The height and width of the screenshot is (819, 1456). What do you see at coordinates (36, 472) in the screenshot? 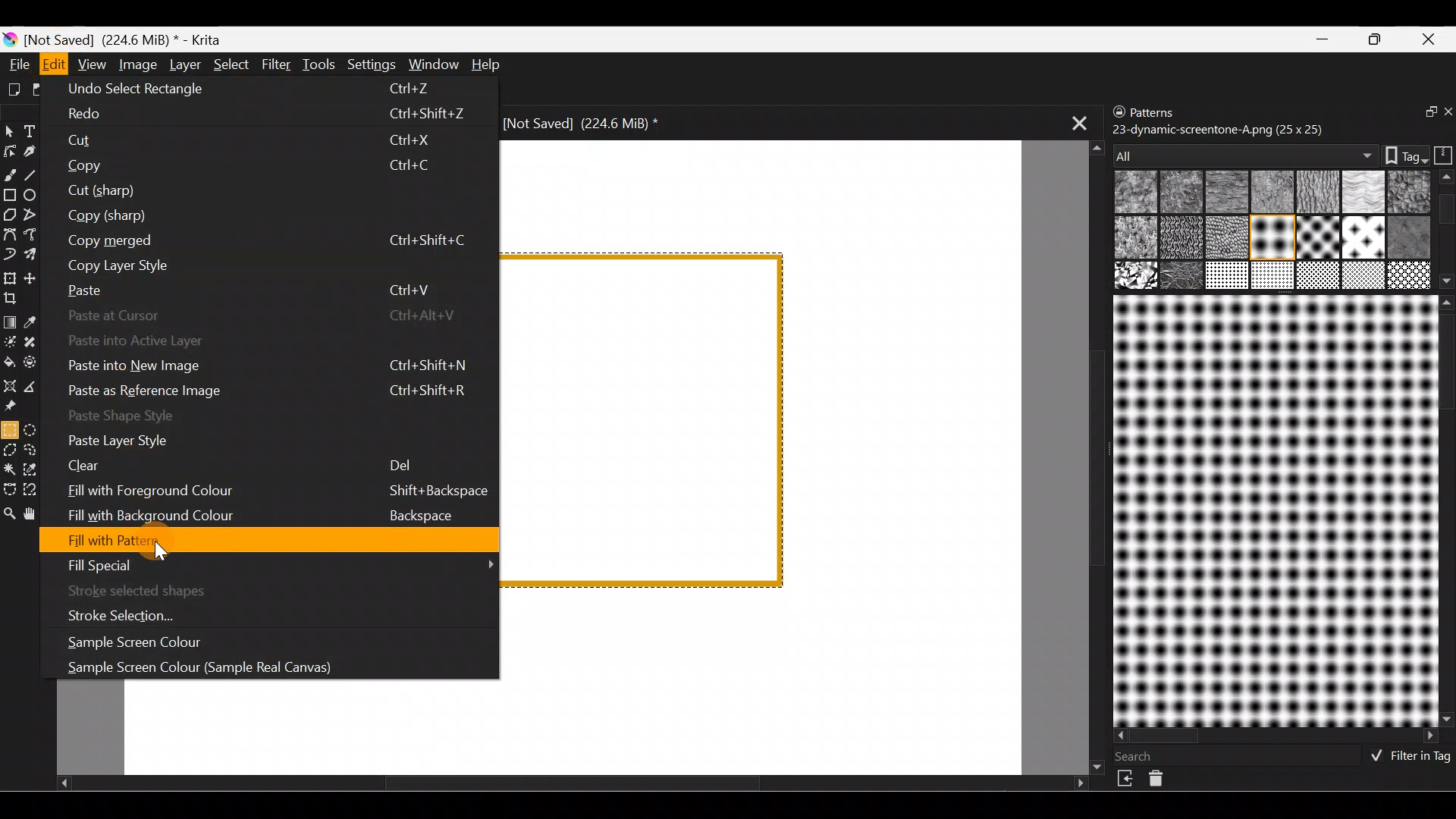
I see `Similar colour selection tool` at bounding box center [36, 472].